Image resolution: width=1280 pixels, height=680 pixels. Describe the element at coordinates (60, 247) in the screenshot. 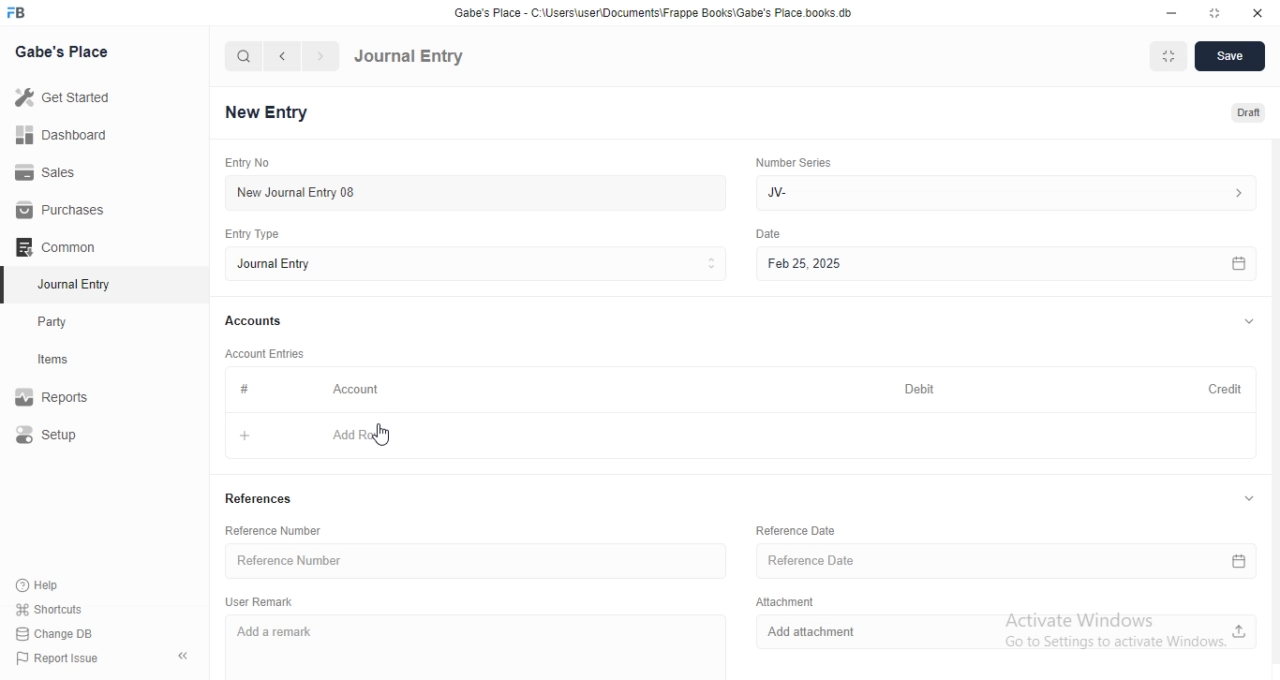

I see `Common` at that location.